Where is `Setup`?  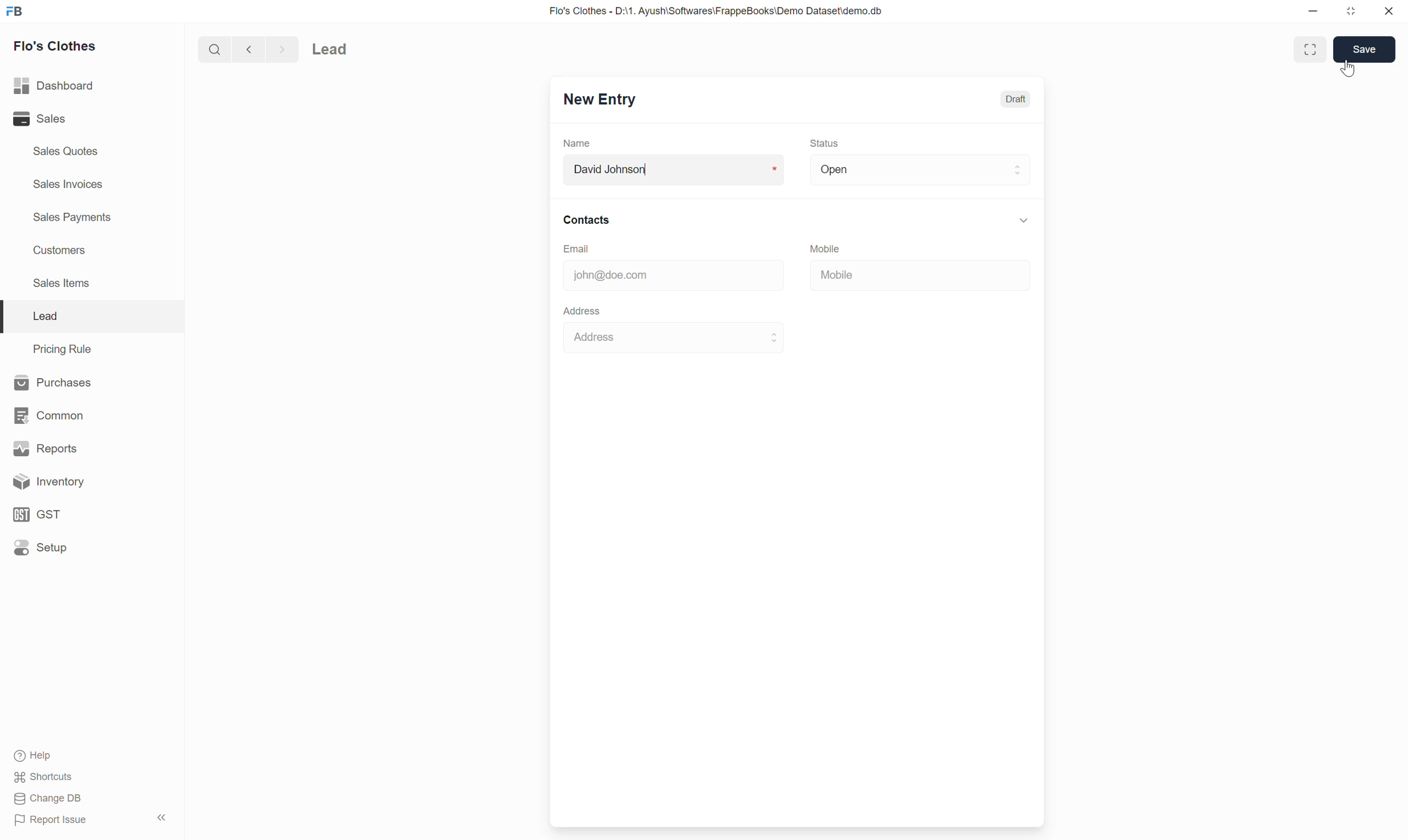 Setup is located at coordinates (41, 548).